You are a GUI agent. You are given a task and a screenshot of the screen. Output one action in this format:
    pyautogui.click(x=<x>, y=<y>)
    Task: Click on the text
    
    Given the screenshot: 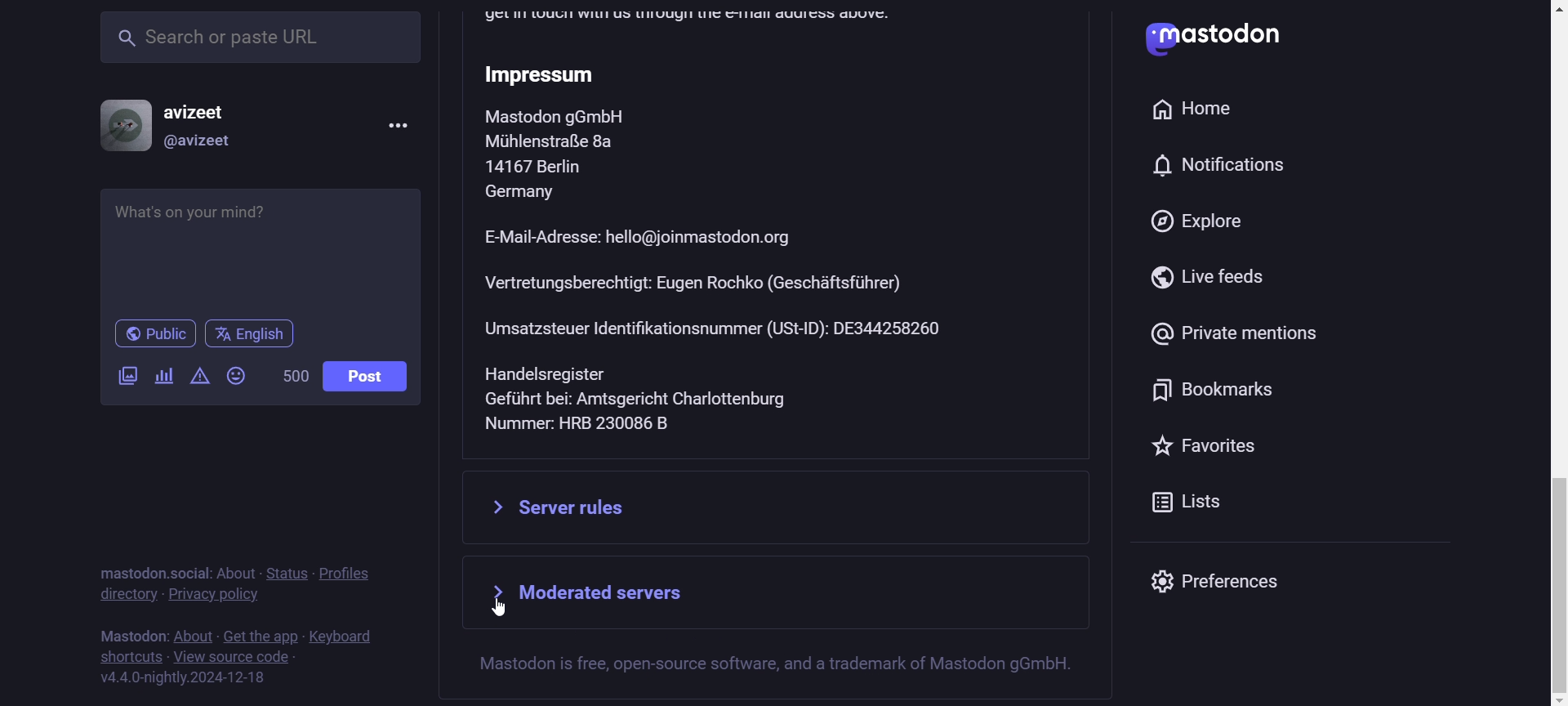 What is the action you would take?
    pyautogui.click(x=783, y=234)
    